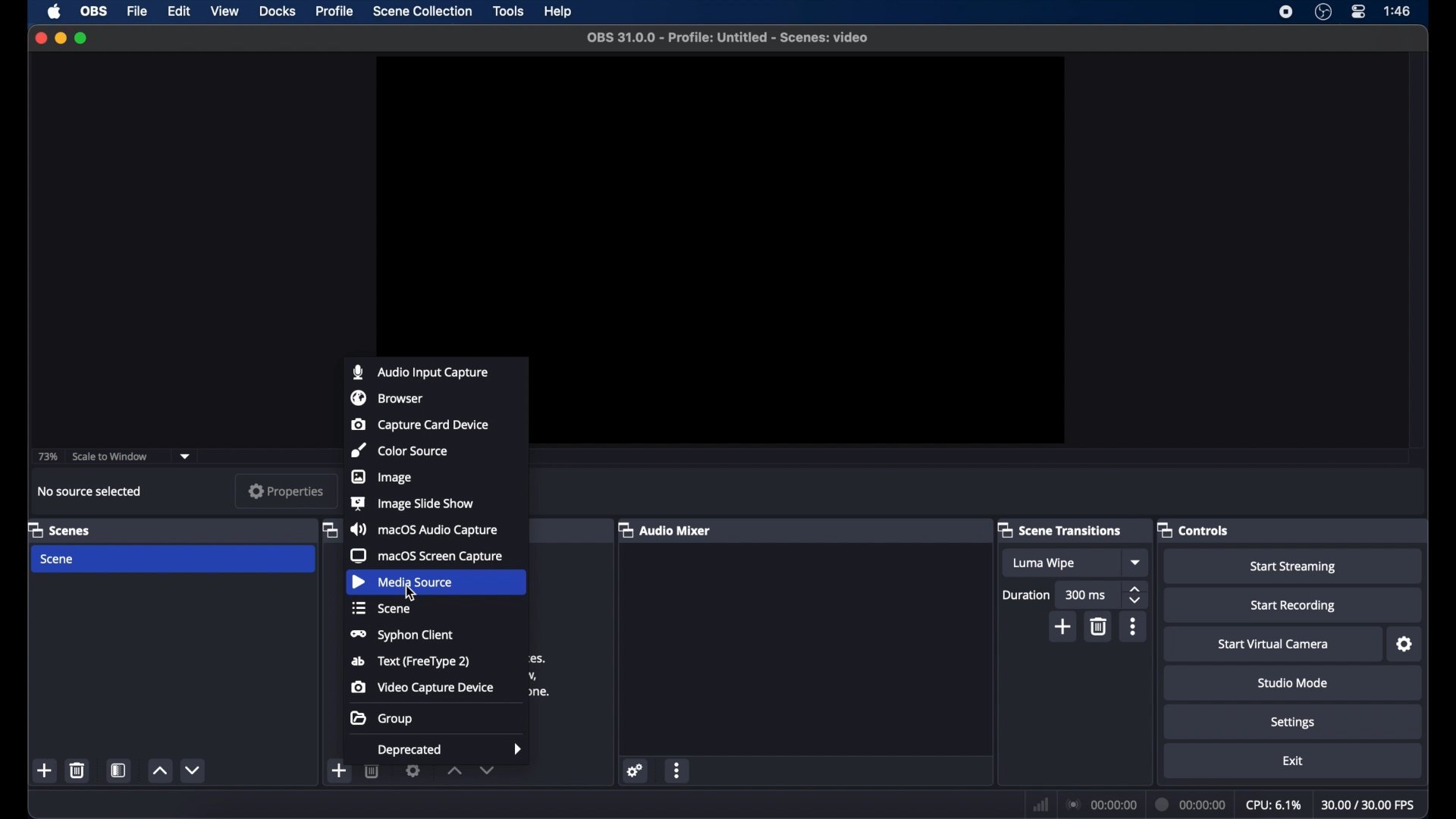  Describe the element at coordinates (541, 676) in the screenshot. I see `obscure text` at that location.